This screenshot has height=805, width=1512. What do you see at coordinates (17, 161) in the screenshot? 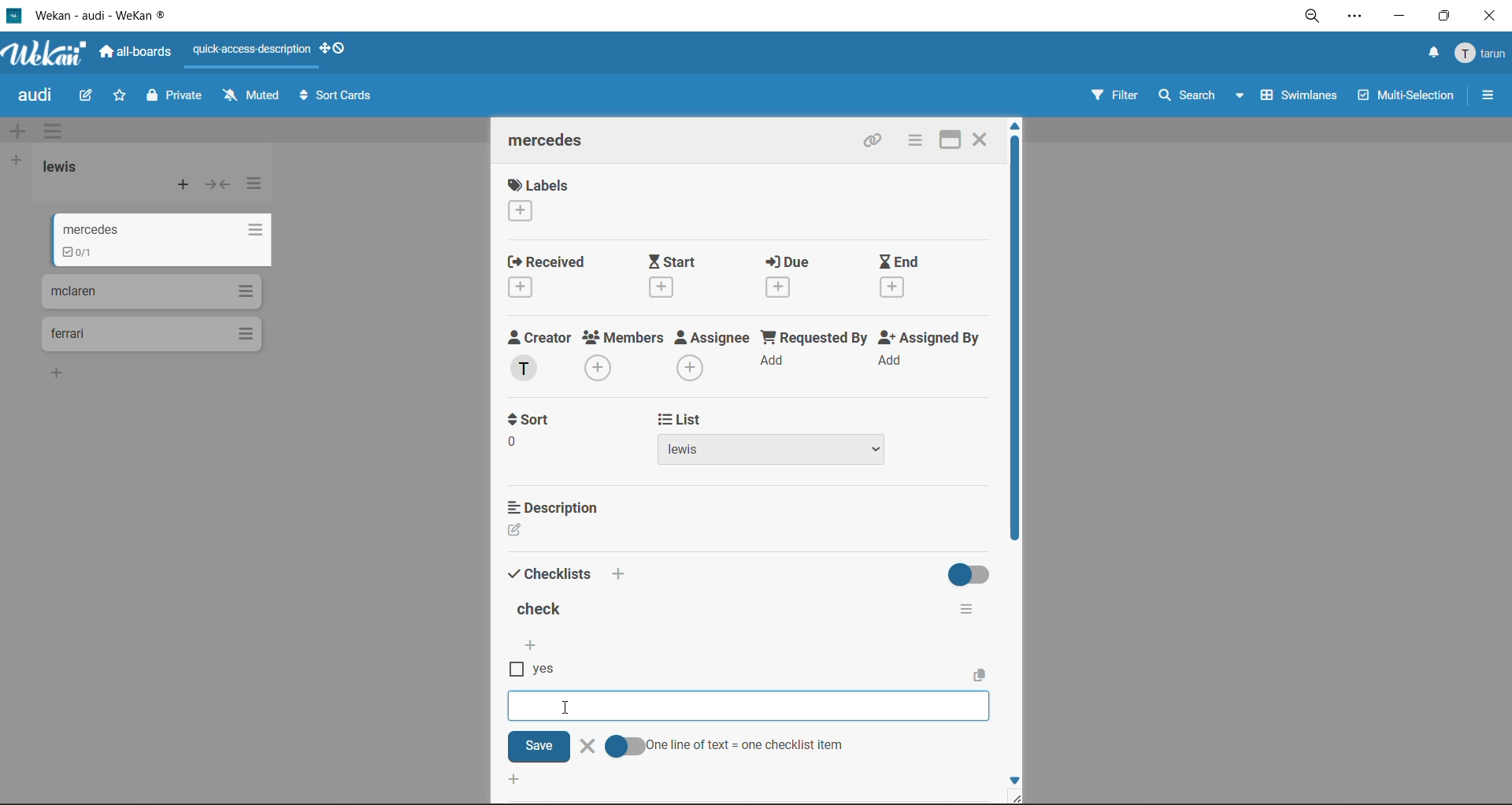
I see `add list` at bounding box center [17, 161].